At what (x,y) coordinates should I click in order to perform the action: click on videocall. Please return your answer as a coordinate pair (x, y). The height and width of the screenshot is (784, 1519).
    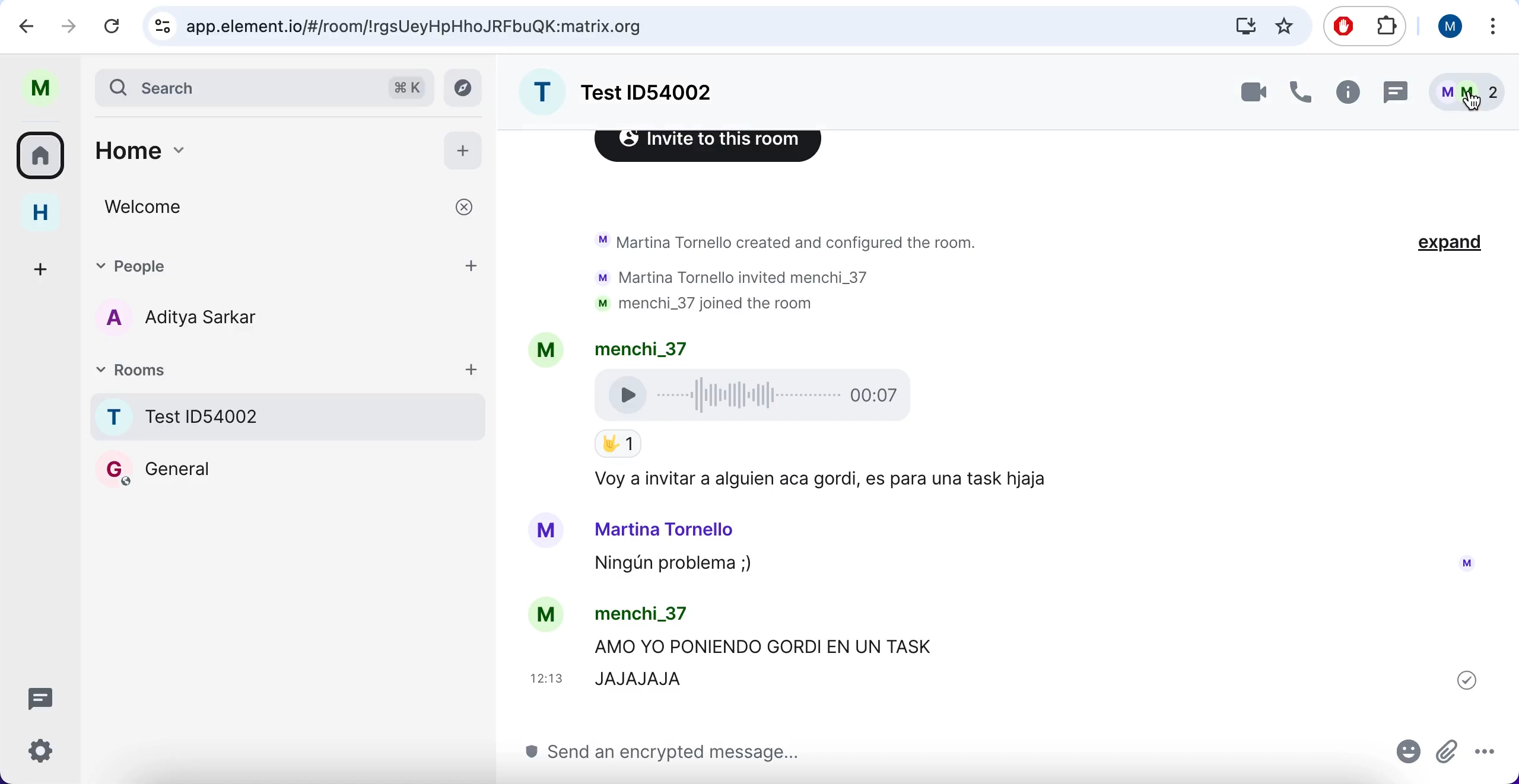
    Looking at the image, I should click on (1247, 94).